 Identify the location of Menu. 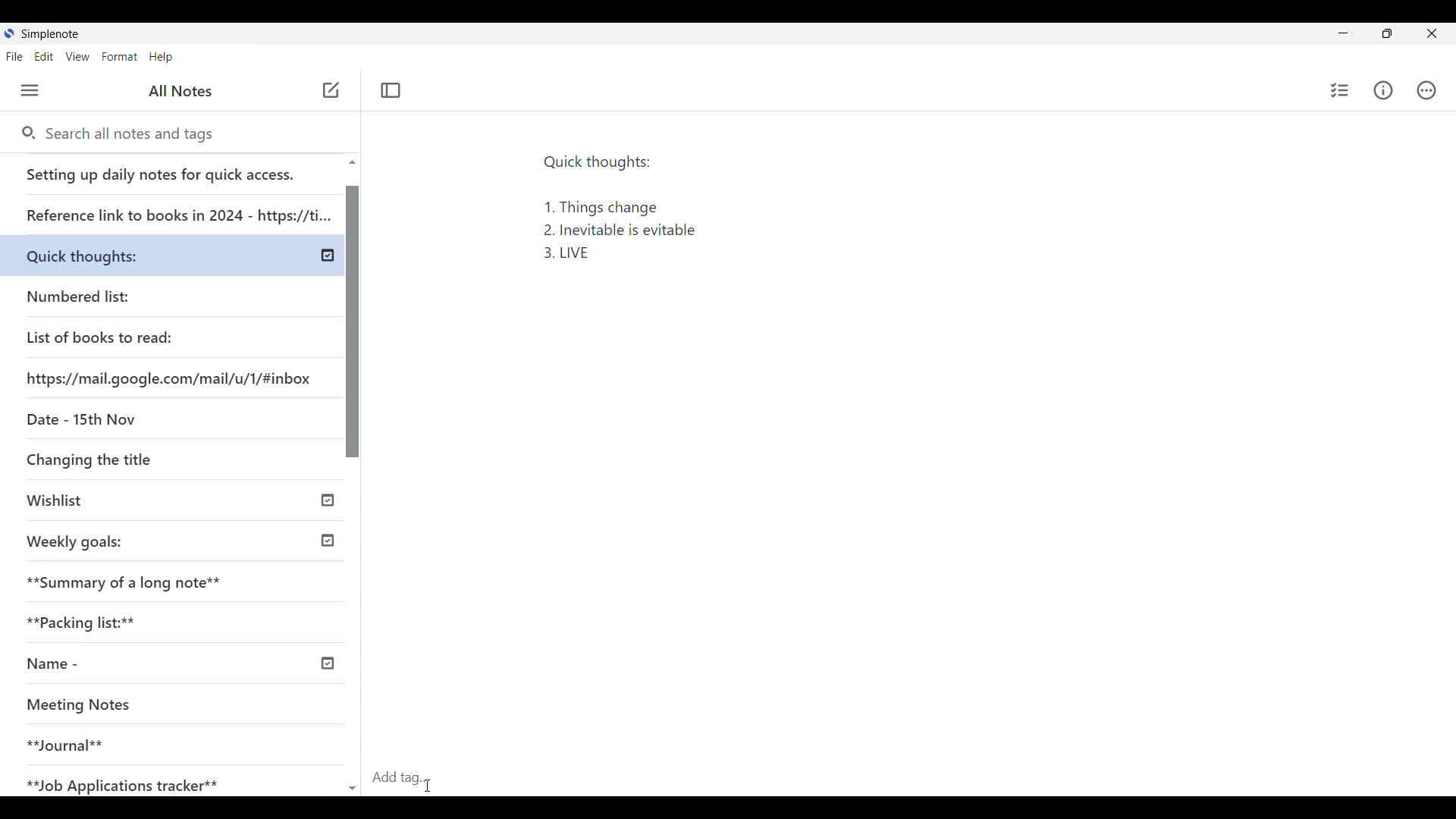
(30, 90).